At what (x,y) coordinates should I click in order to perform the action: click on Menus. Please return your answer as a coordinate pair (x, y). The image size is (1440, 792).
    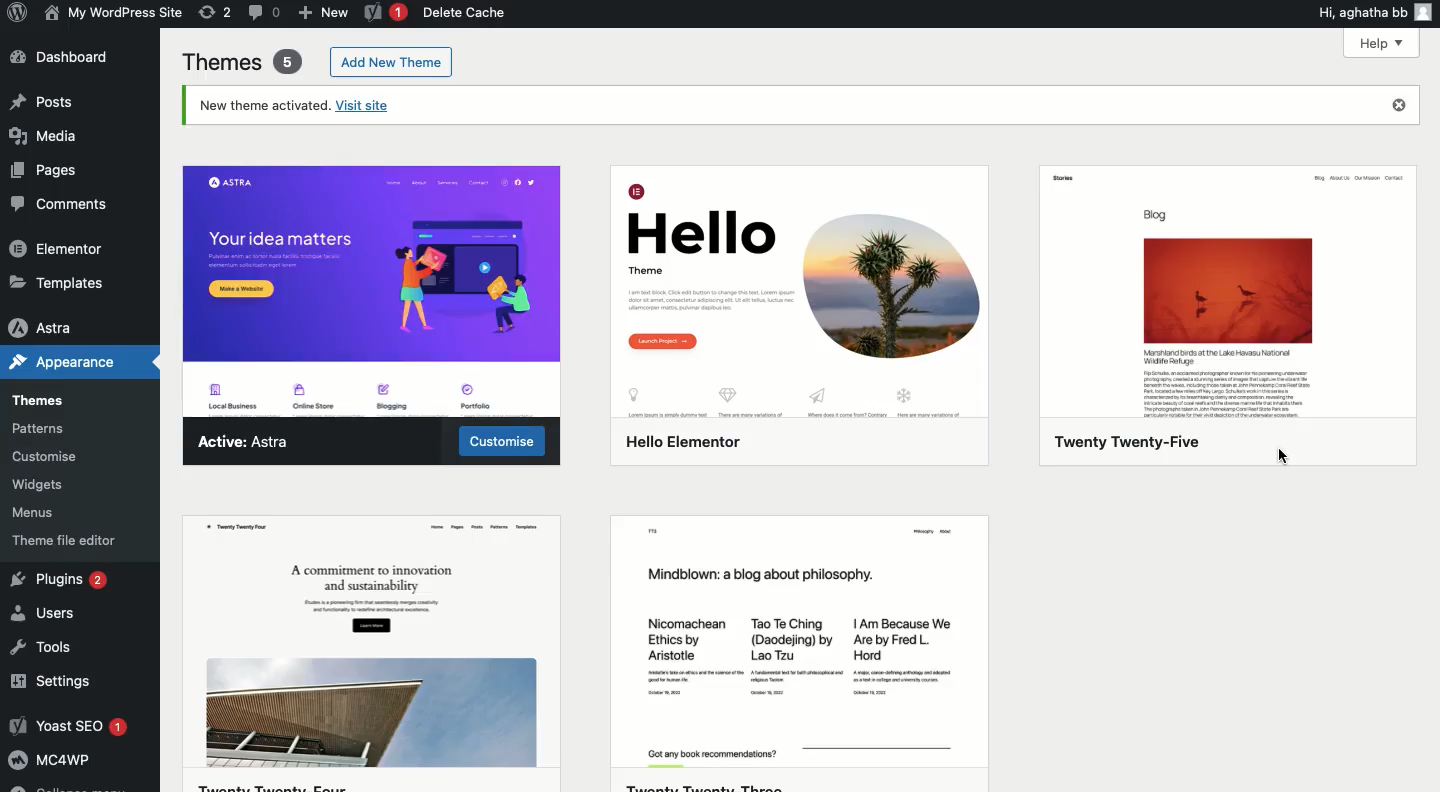
    Looking at the image, I should click on (52, 511).